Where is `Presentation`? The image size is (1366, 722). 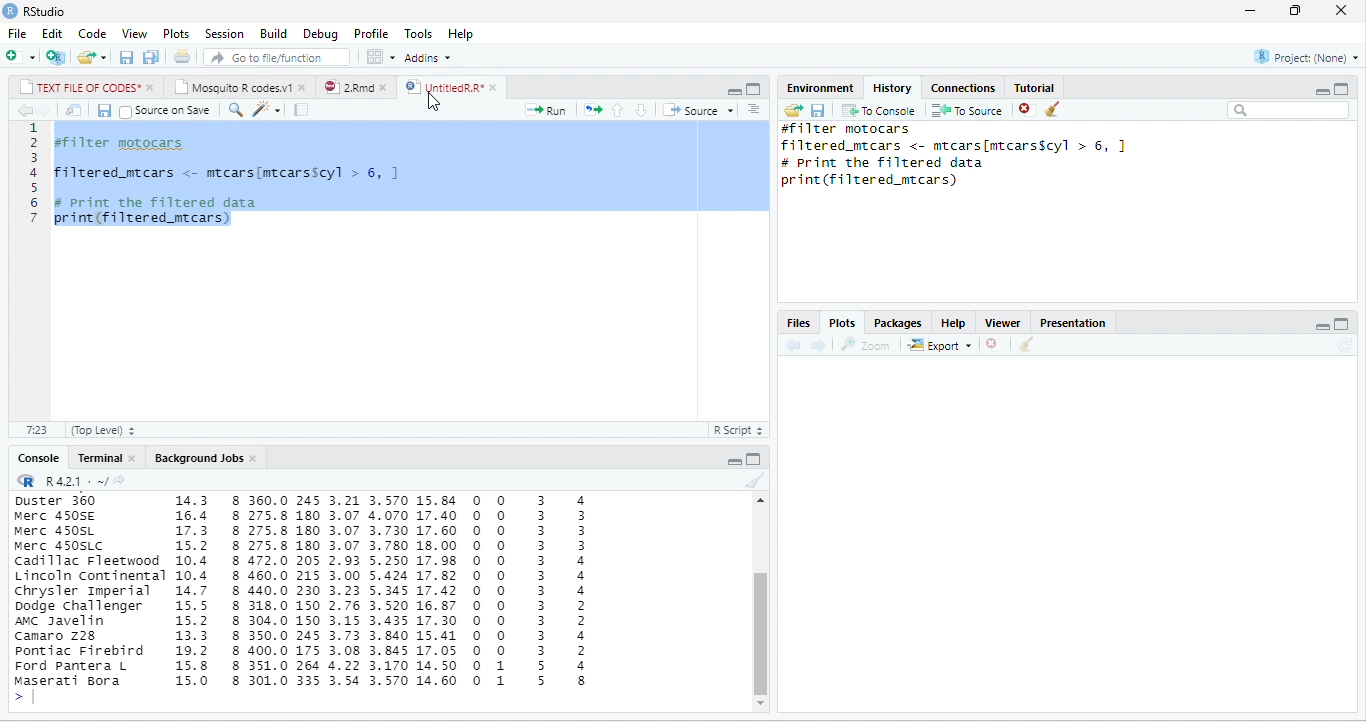
Presentation is located at coordinates (1072, 323).